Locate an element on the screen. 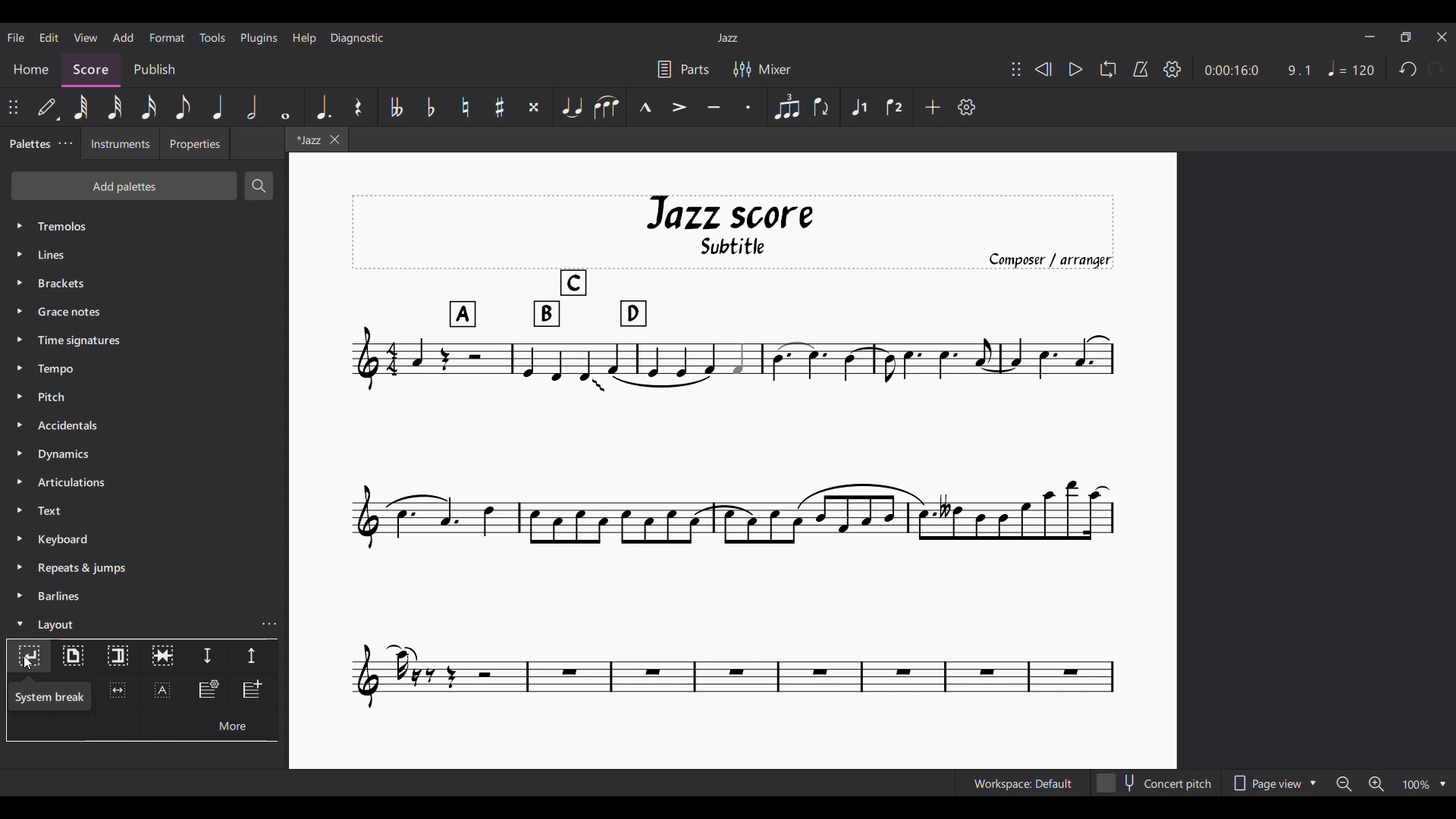  Palettes is located at coordinates (29, 145).